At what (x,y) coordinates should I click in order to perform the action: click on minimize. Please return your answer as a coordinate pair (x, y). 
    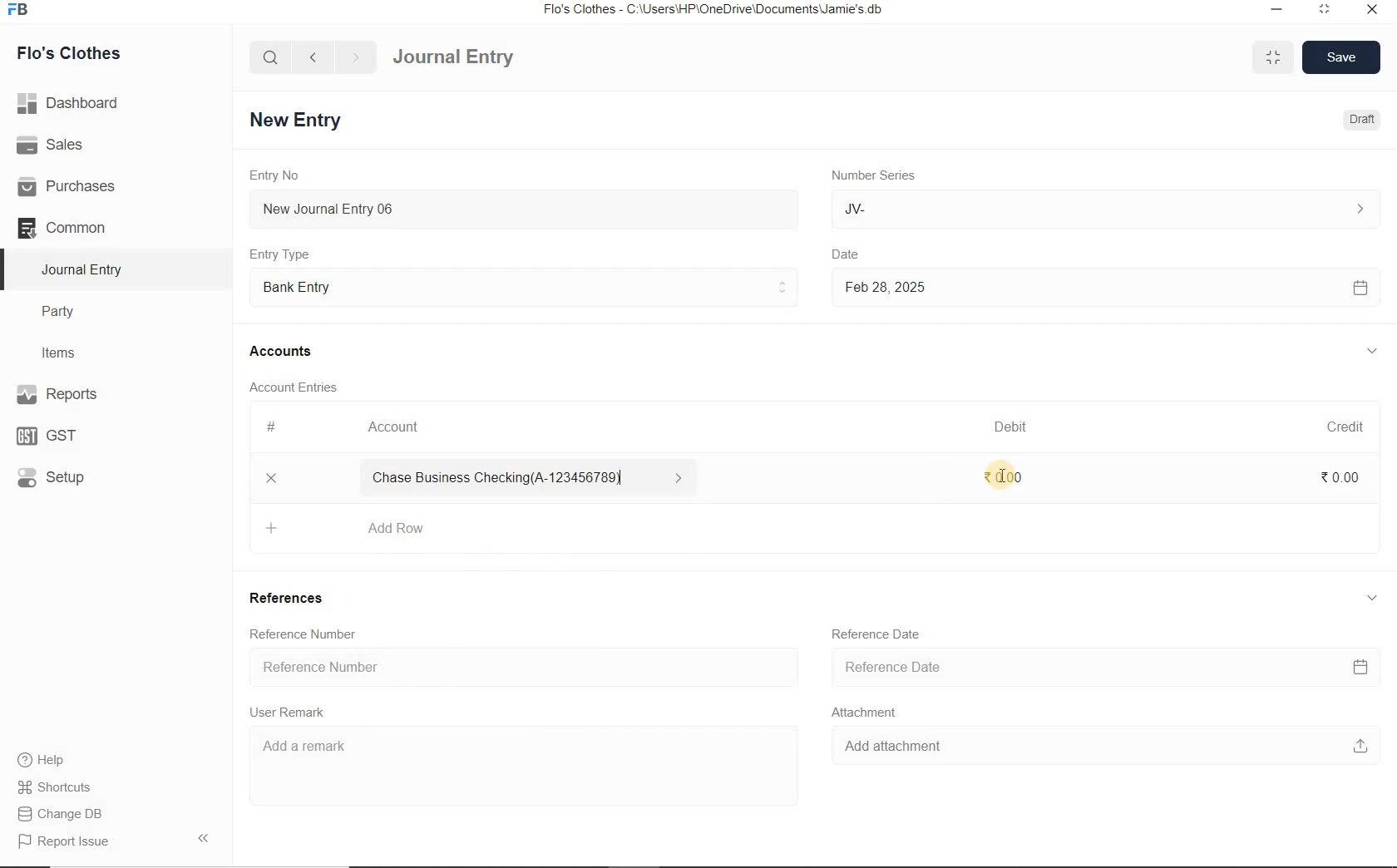
    Looking at the image, I should click on (1275, 8).